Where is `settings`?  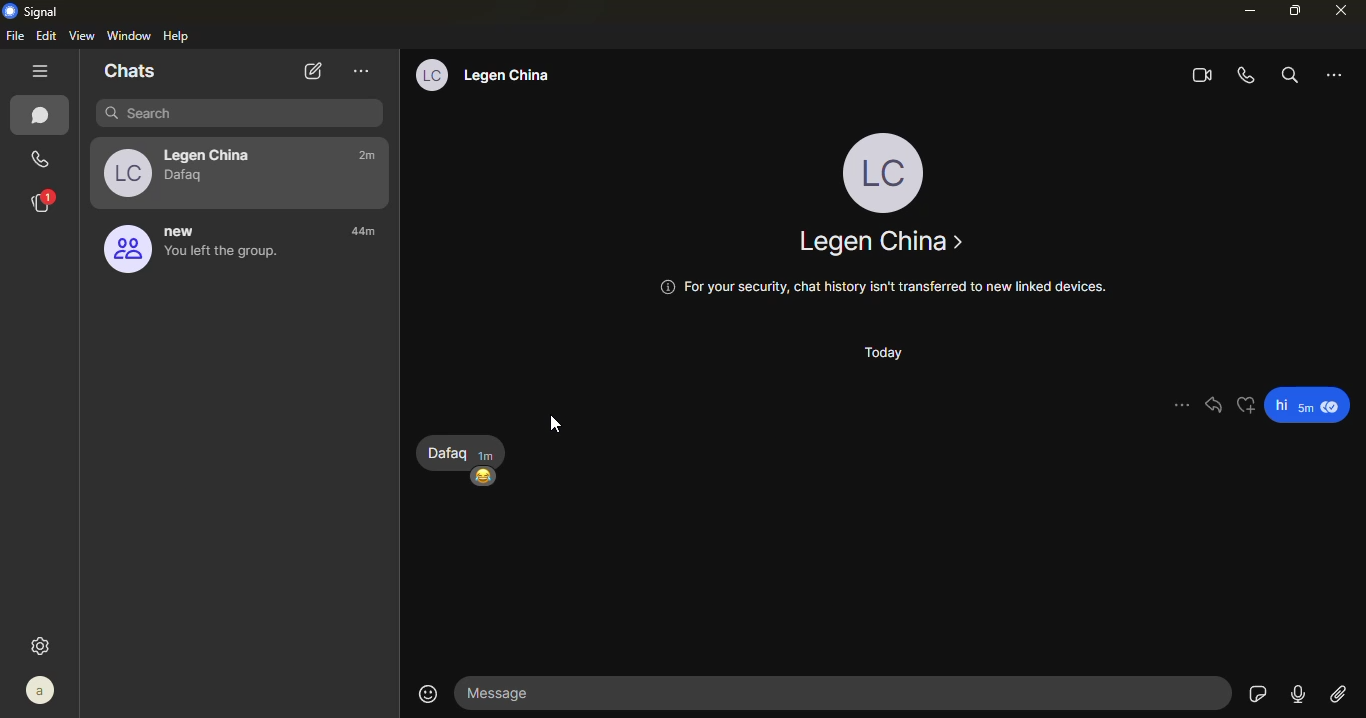
settings is located at coordinates (43, 645).